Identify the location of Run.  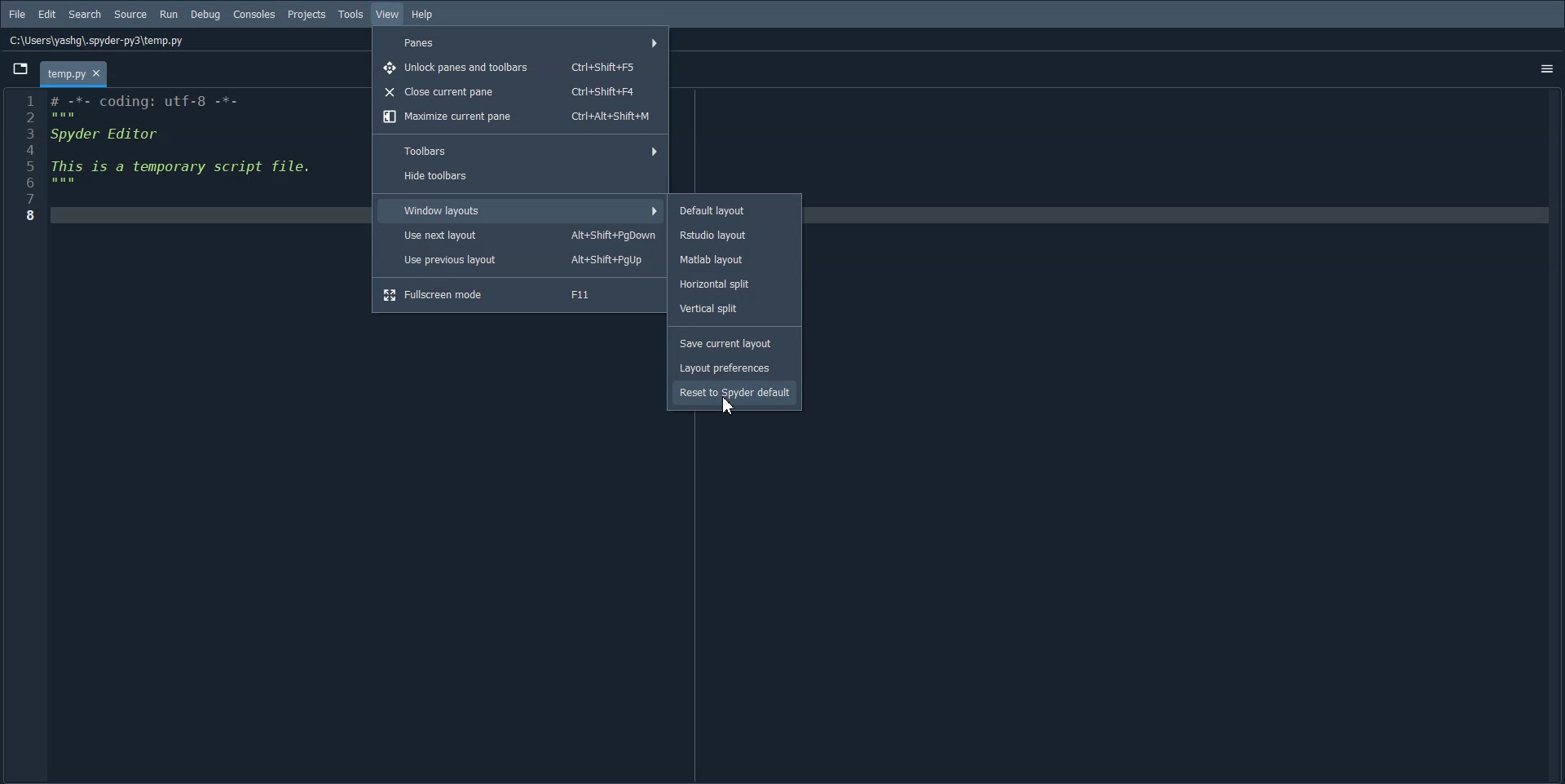
(169, 15).